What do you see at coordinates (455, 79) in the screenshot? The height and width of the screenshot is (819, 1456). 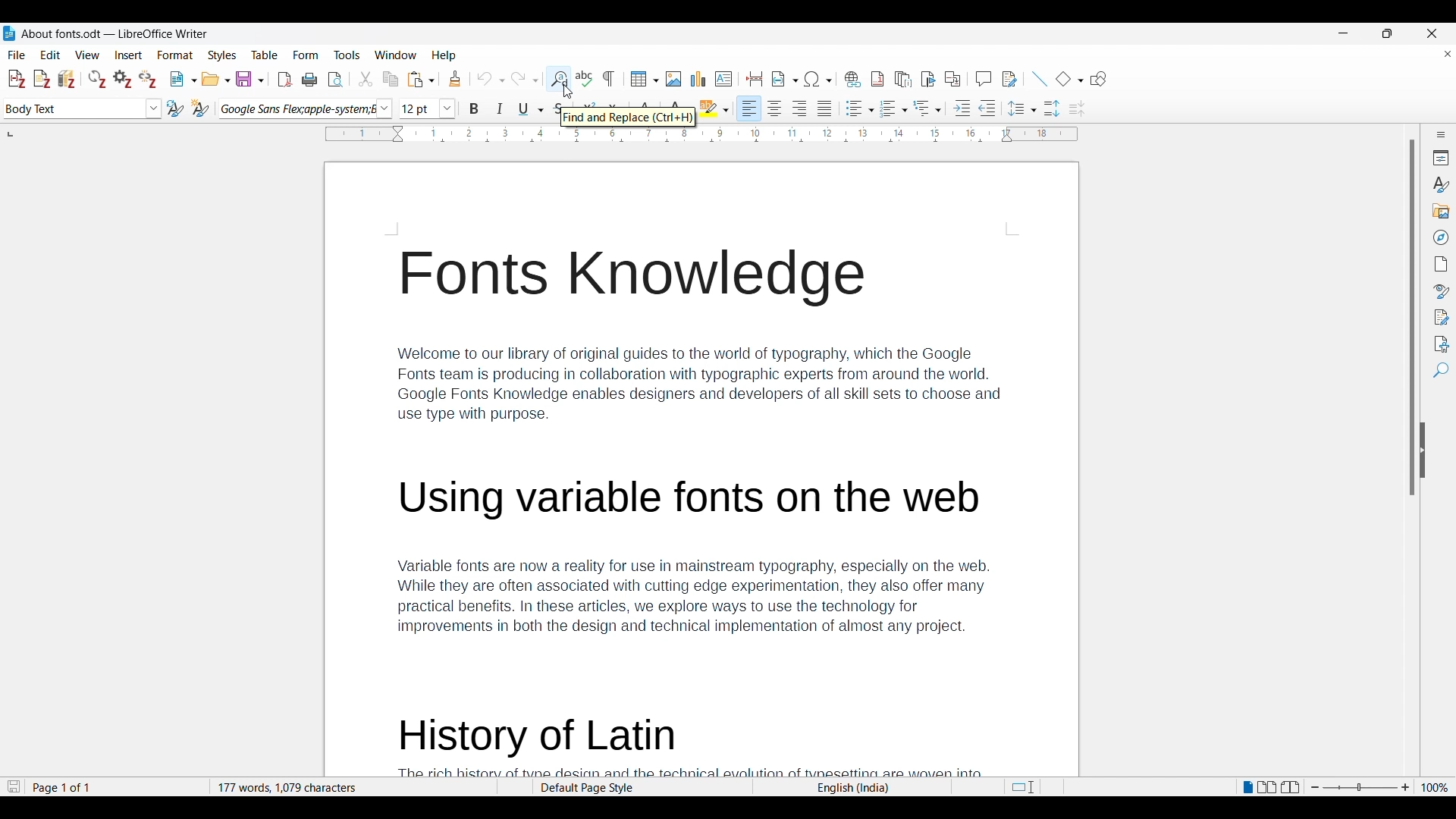 I see `Clone formatting of selected text` at bounding box center [455, 79].